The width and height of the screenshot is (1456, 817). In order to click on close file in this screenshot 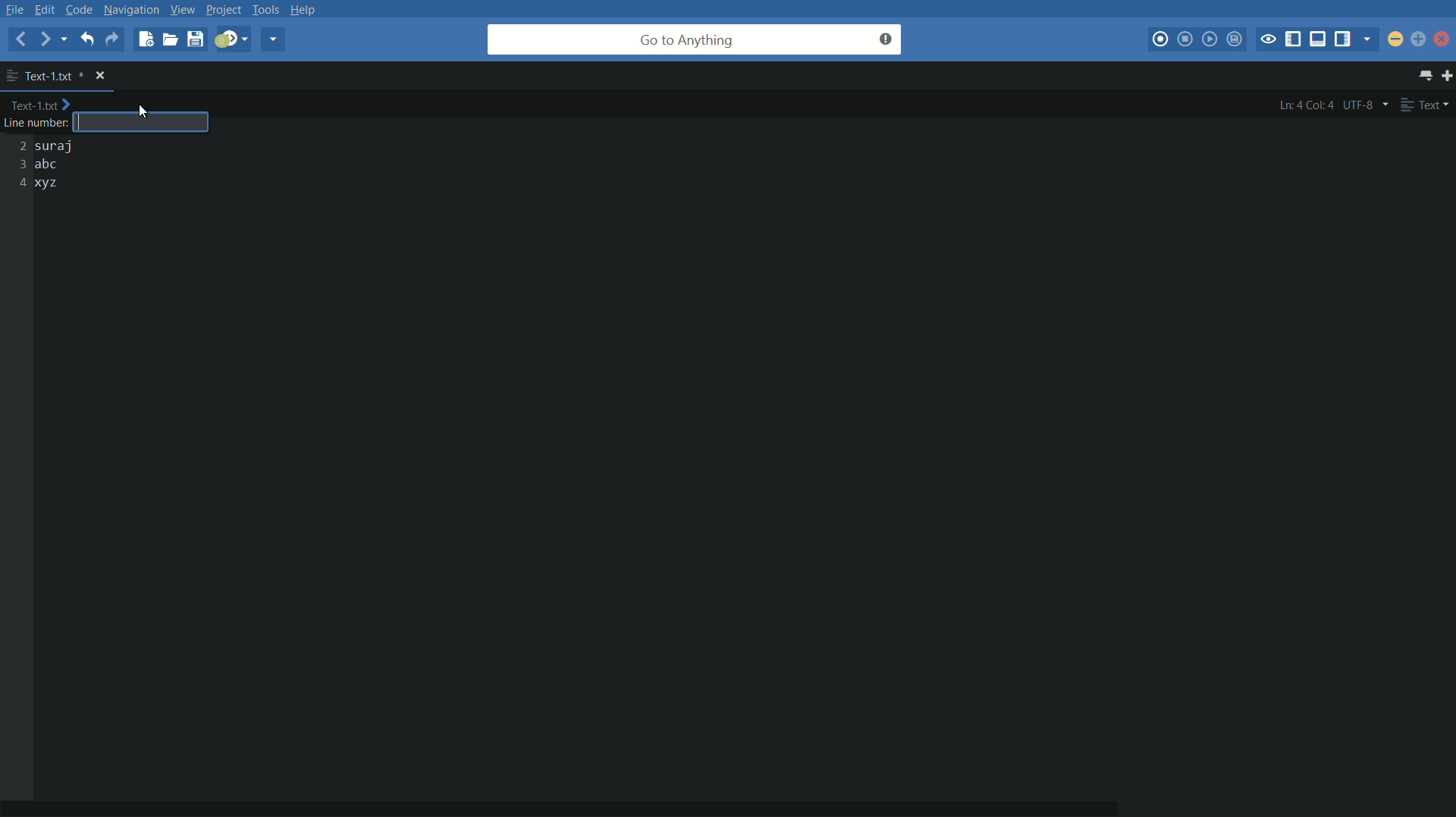, I will do `click(102, 76)`.